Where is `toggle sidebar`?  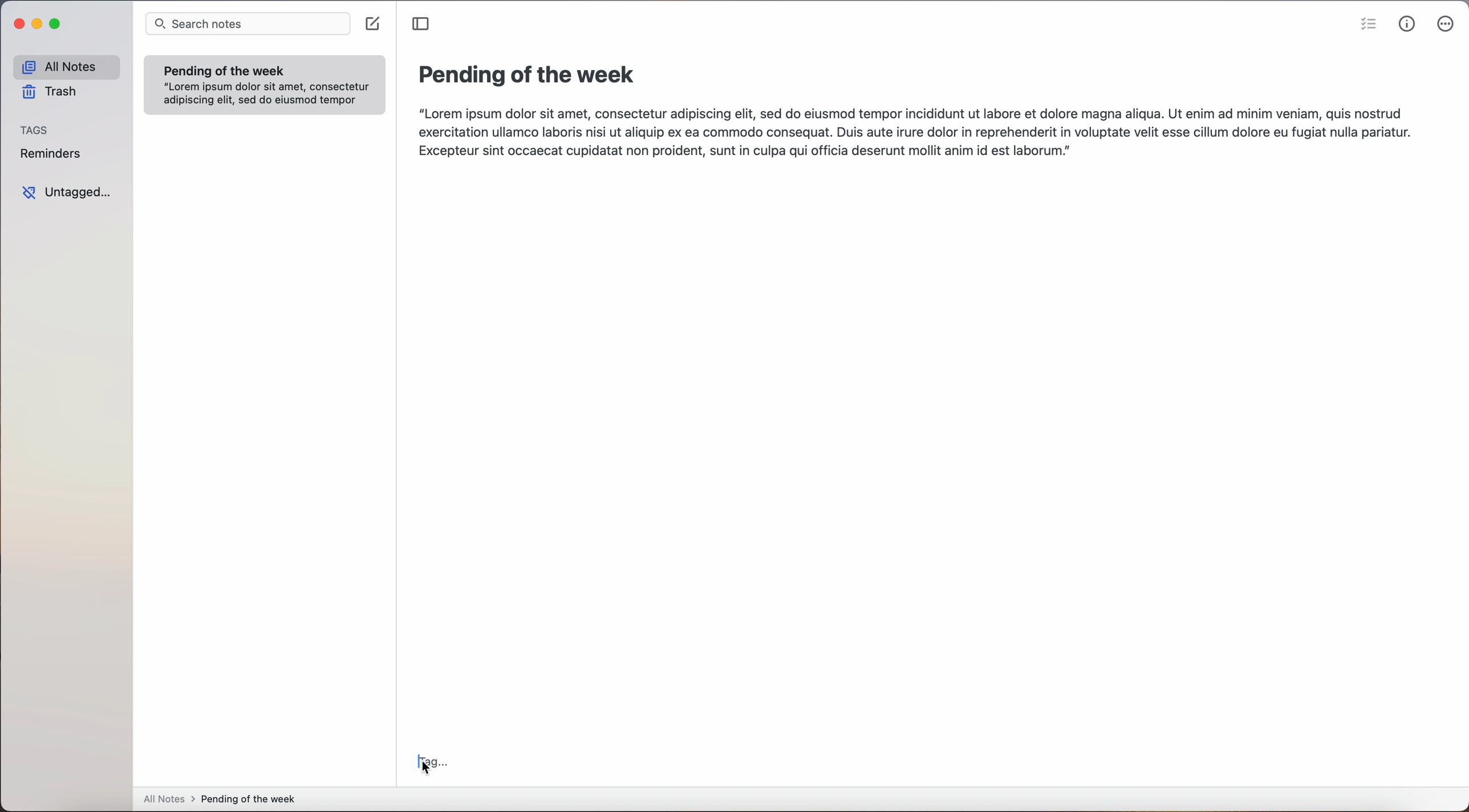
toggle sidebar is located at coordinates (421, 25).